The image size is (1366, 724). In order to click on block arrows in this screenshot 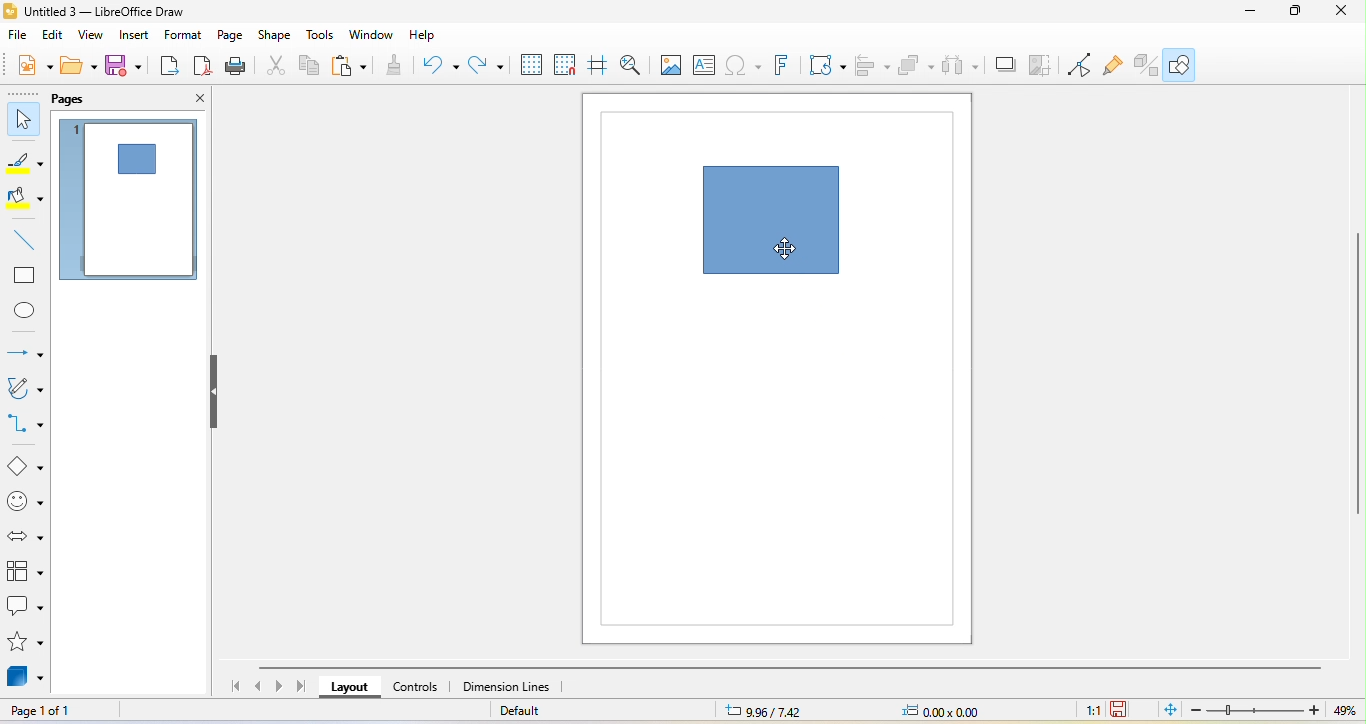, I will do `click(24, 535)`.